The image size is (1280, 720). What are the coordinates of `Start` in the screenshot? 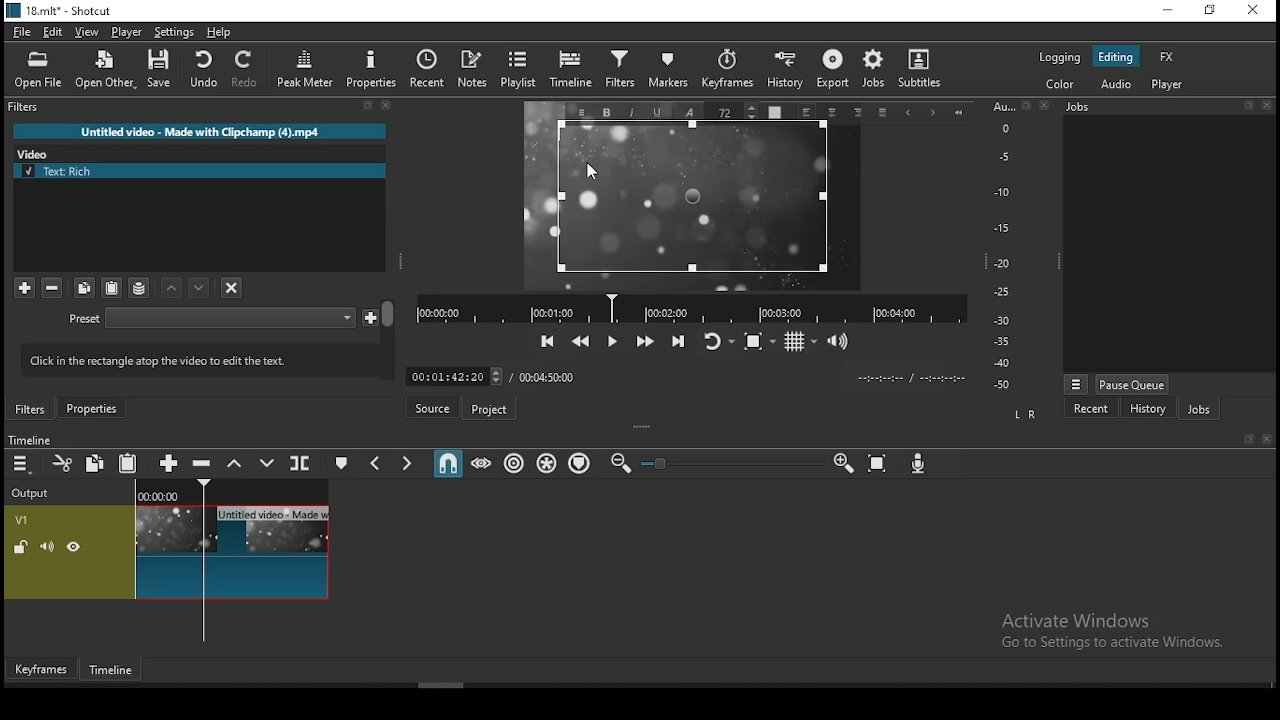 It's located at (959, 113).